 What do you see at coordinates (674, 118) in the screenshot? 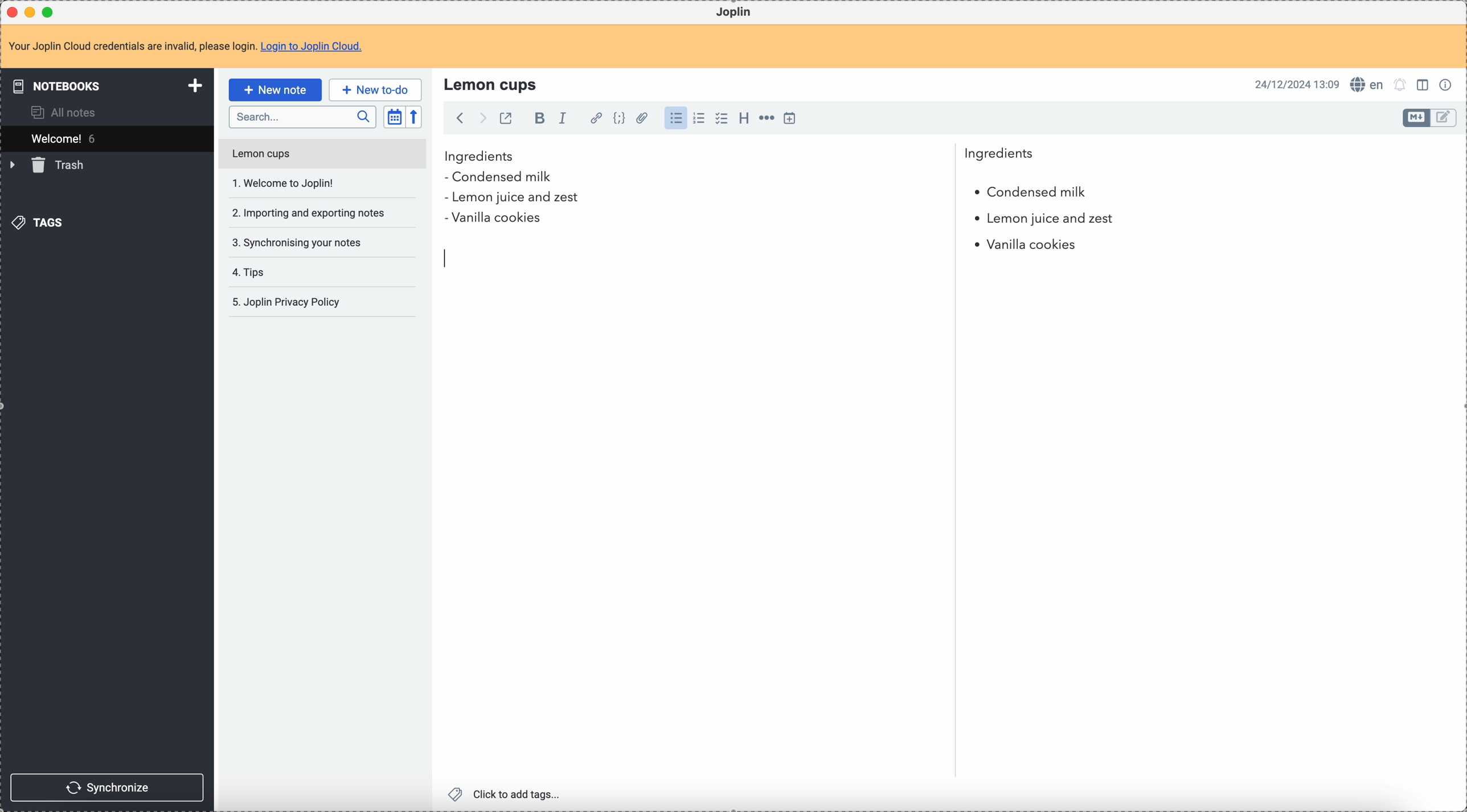
I see `bulleted list` at bounding box center [674, 118].